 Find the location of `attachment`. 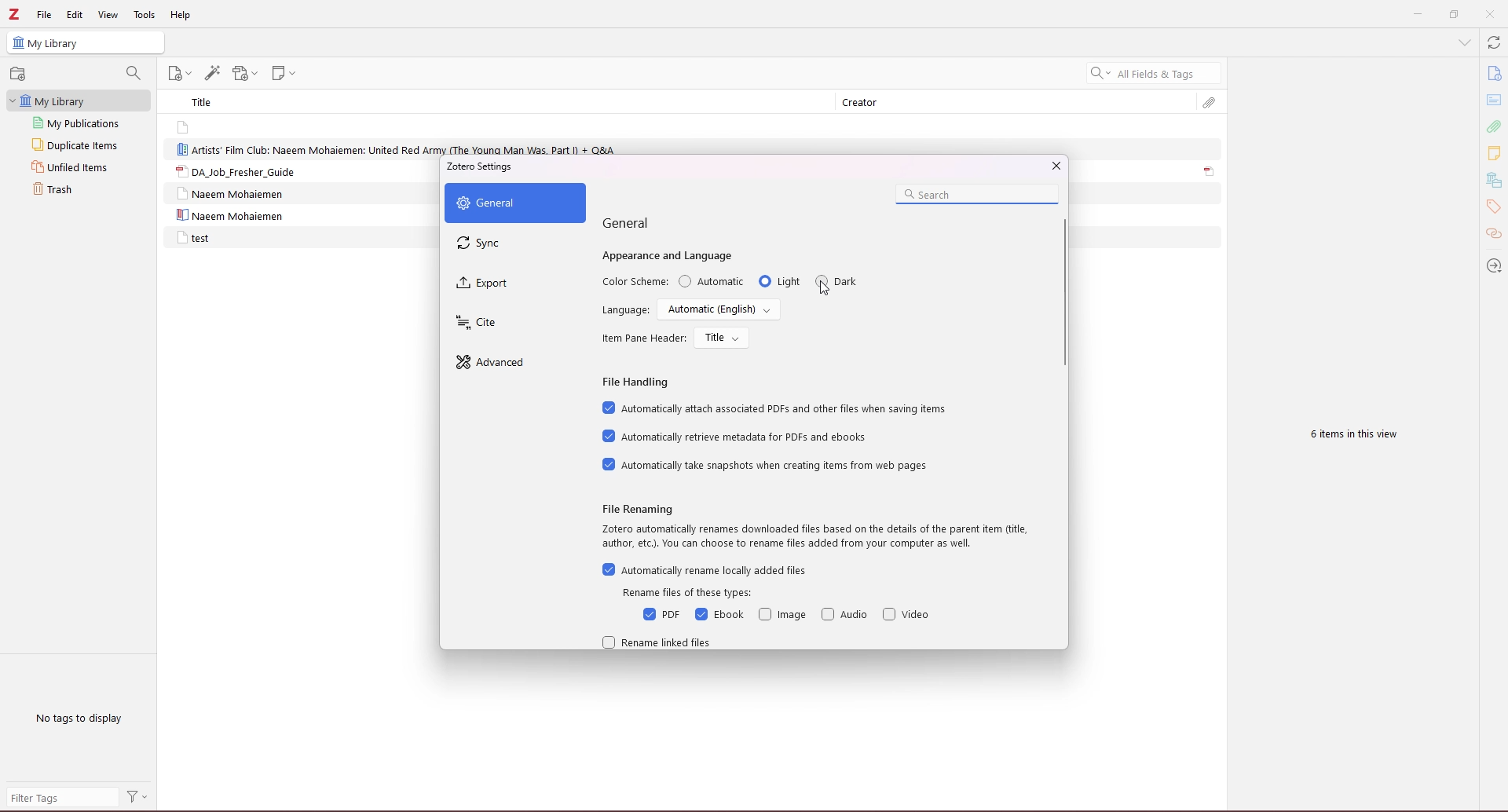

attachment is located at coordinates (1210, 172).